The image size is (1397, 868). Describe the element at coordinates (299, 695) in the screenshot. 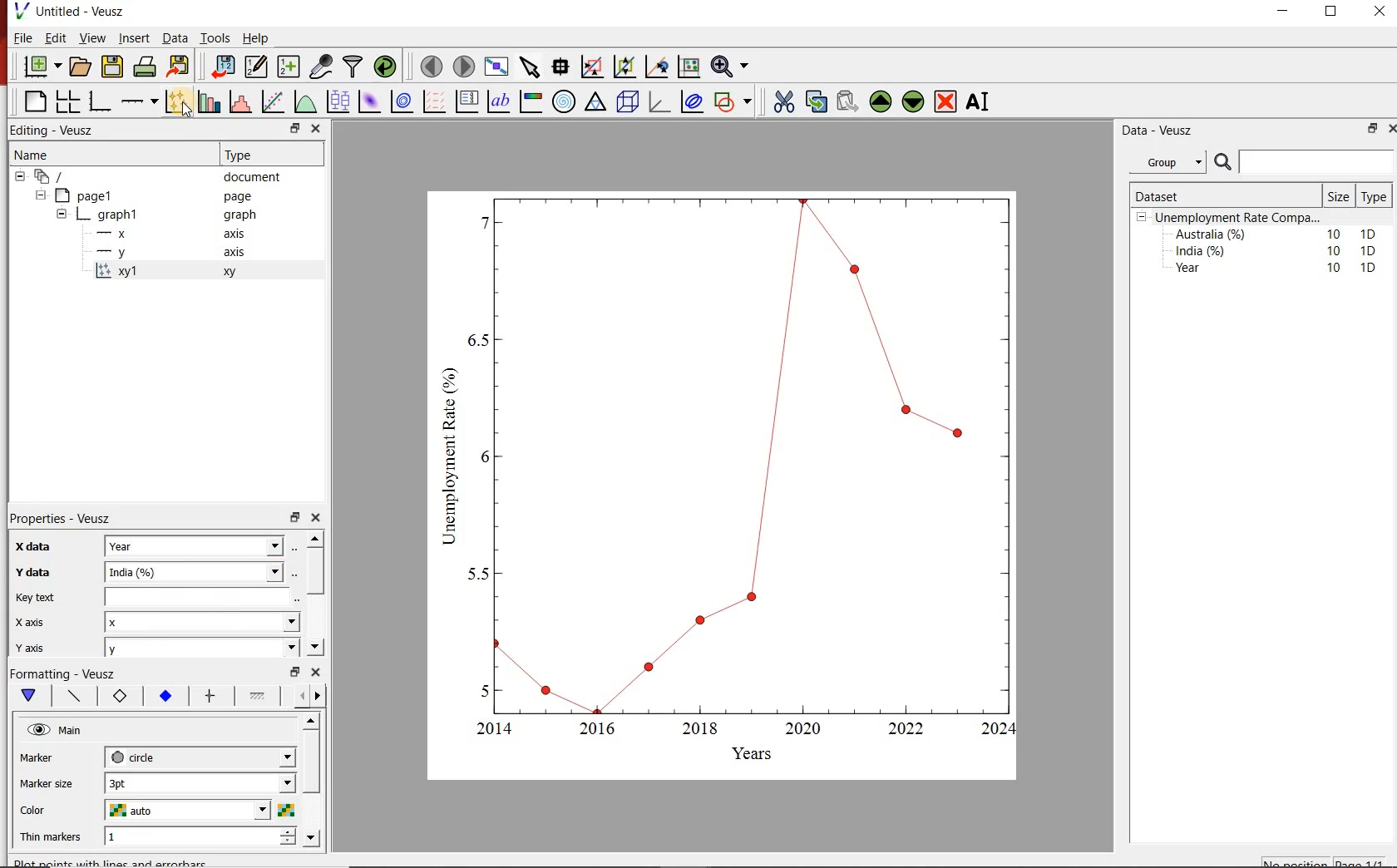

I see `more left` at that location.